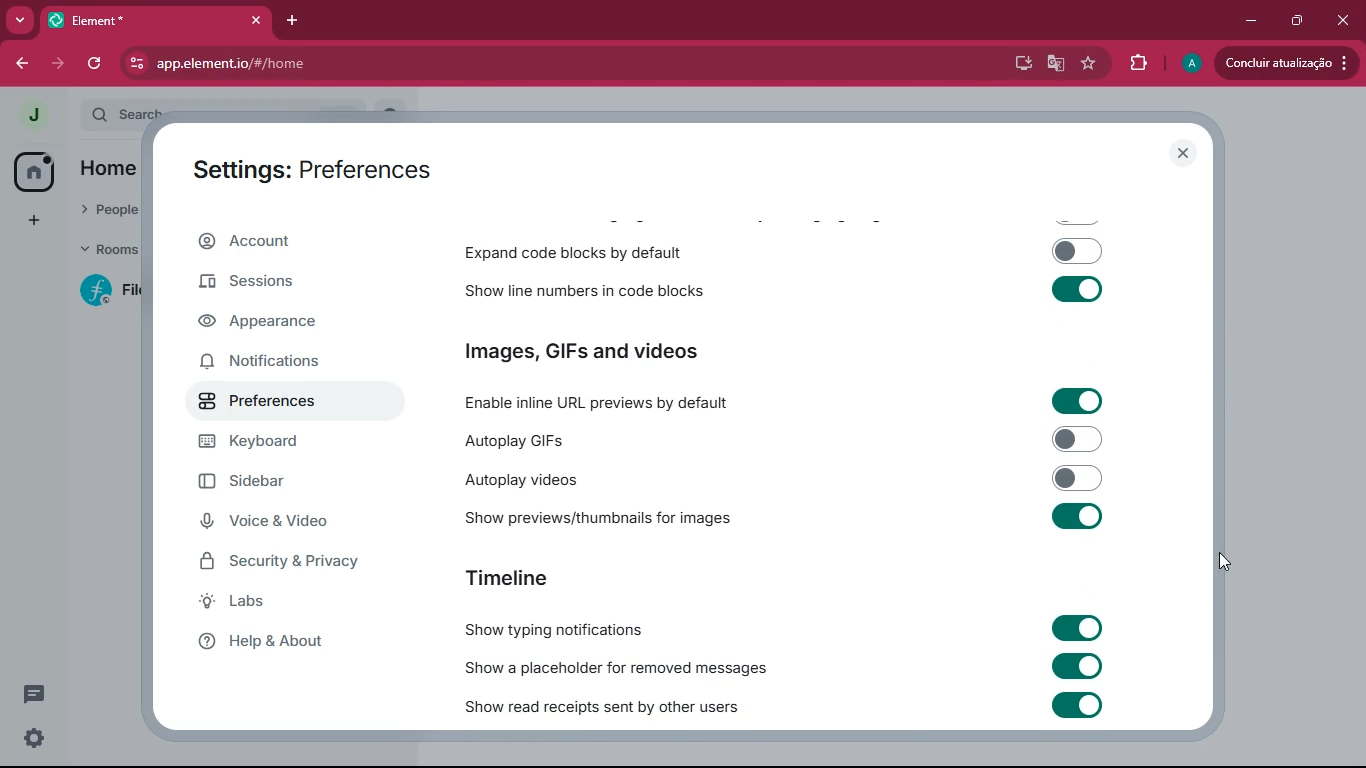 The height and width of the screenshot is (768, 1366). I want to click on images, GIFs and videos, so click(610, 353).